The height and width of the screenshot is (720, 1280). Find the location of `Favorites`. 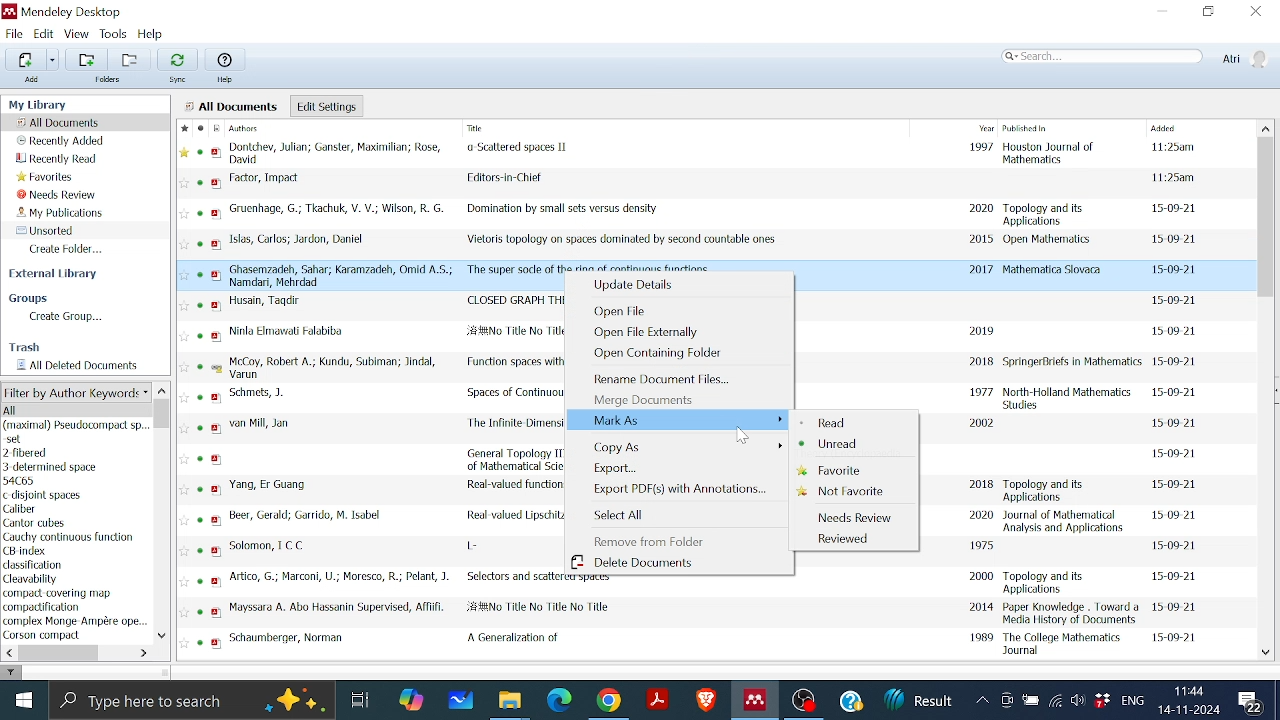

Favorites is located at coordinates (44, 177).